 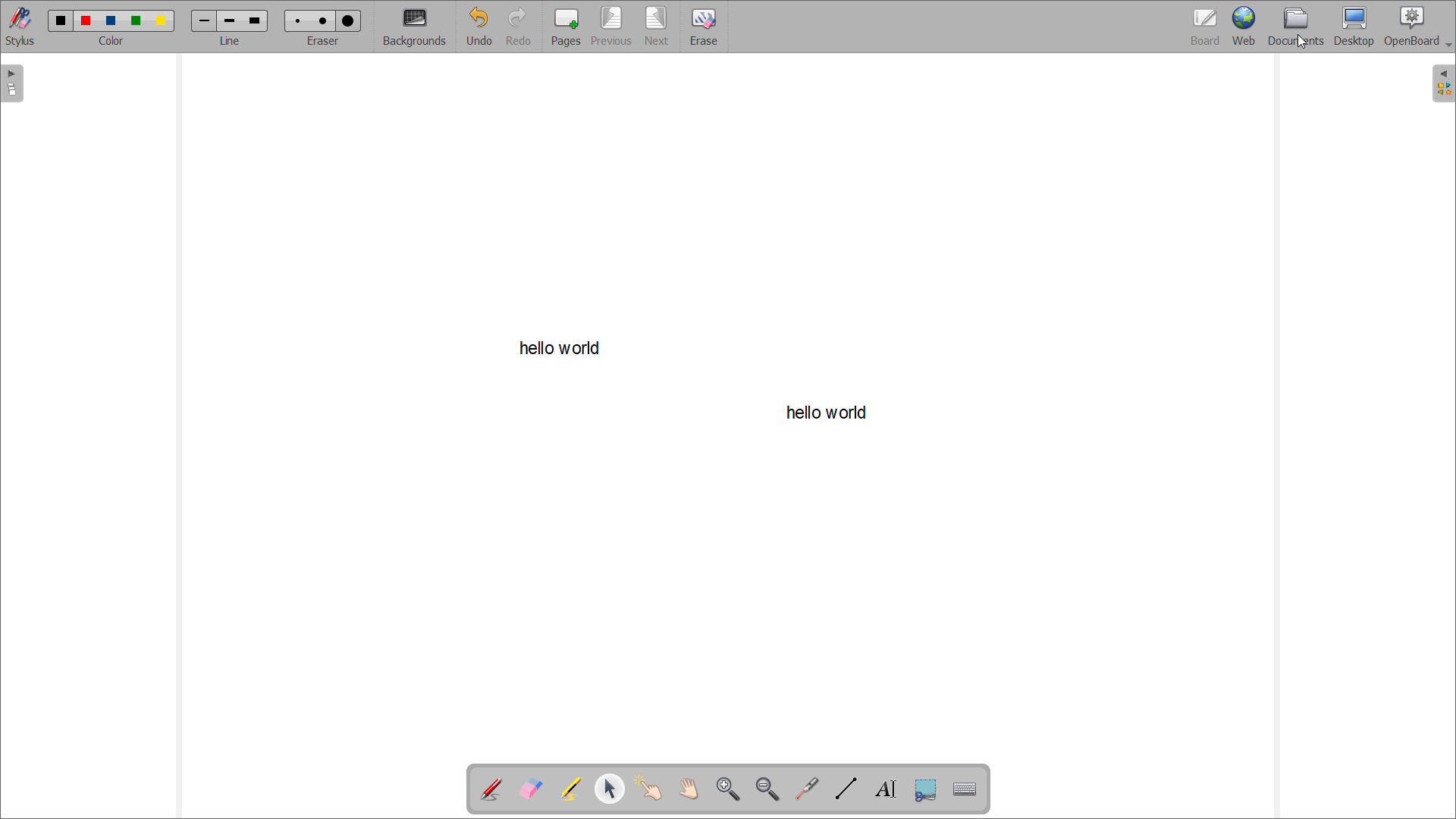 What do you see at coordinates (20, 26) in the screenshot?
I see `toggle stylus` at bounding box center [20, 26].